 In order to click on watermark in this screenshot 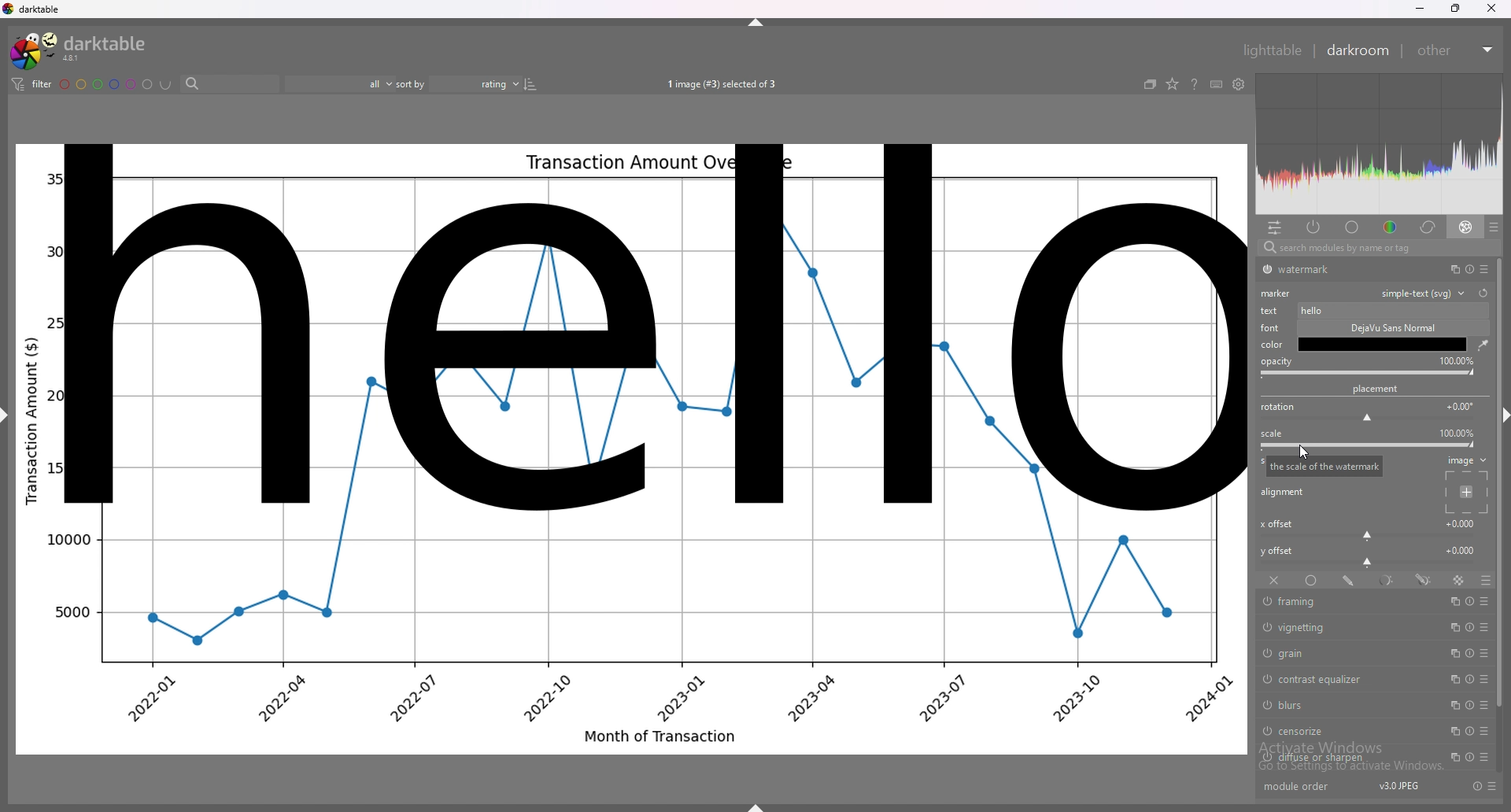, I will do `click(1348, 269)`.